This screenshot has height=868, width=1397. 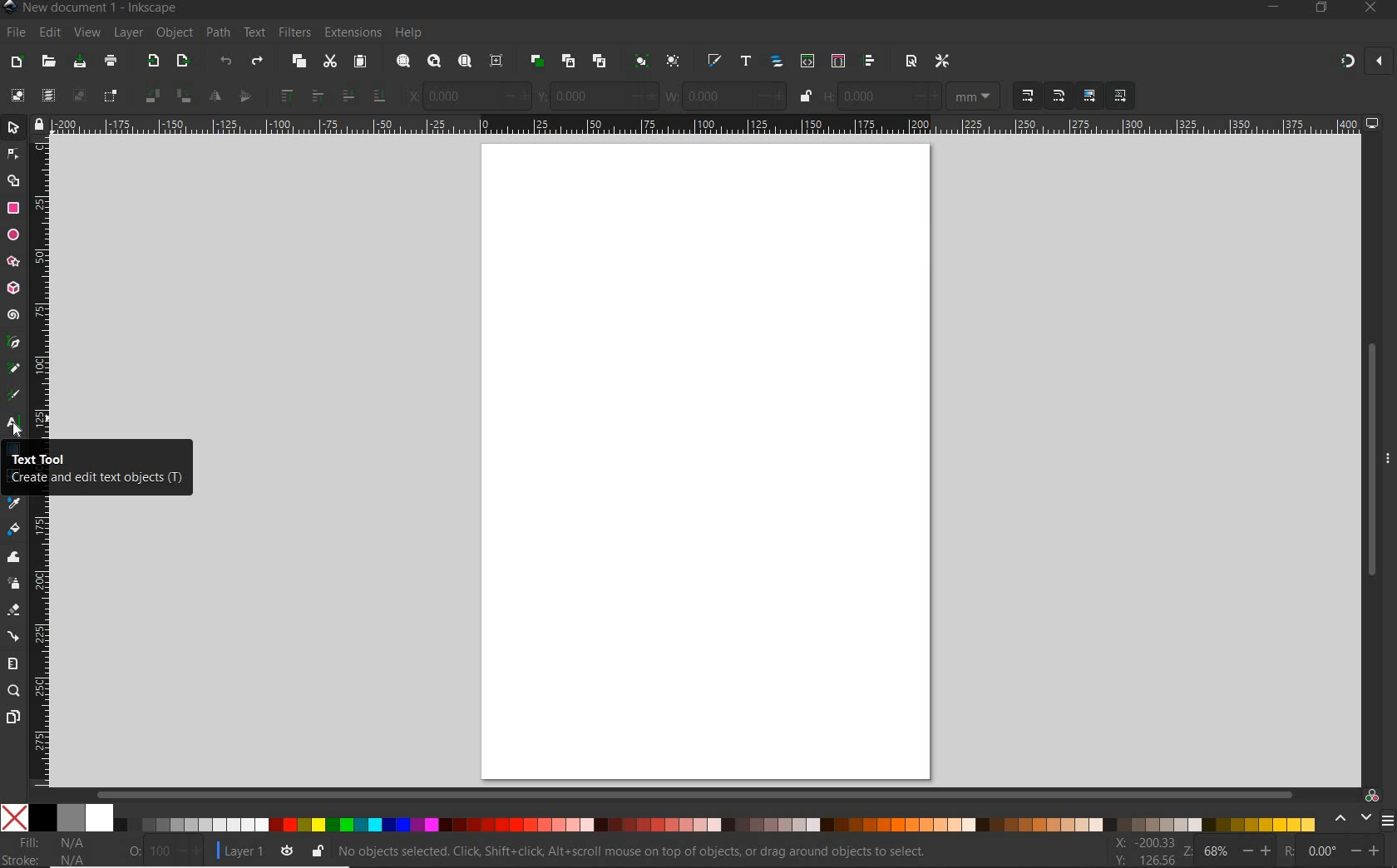 What do you see at coordinates (183, 96) in the screenshot?
I see `object rotate` at bounding box center [183, 96].